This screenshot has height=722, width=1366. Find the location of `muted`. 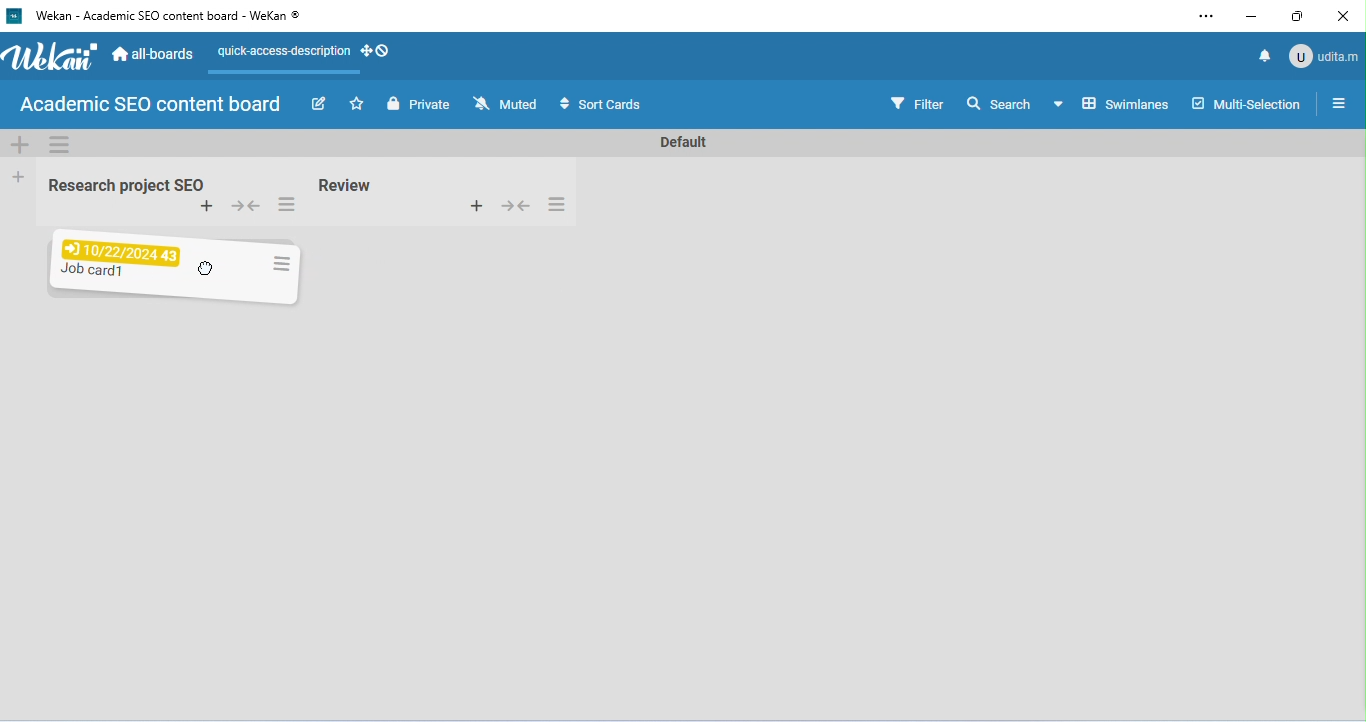

muted is located at coordinates (507, 104).